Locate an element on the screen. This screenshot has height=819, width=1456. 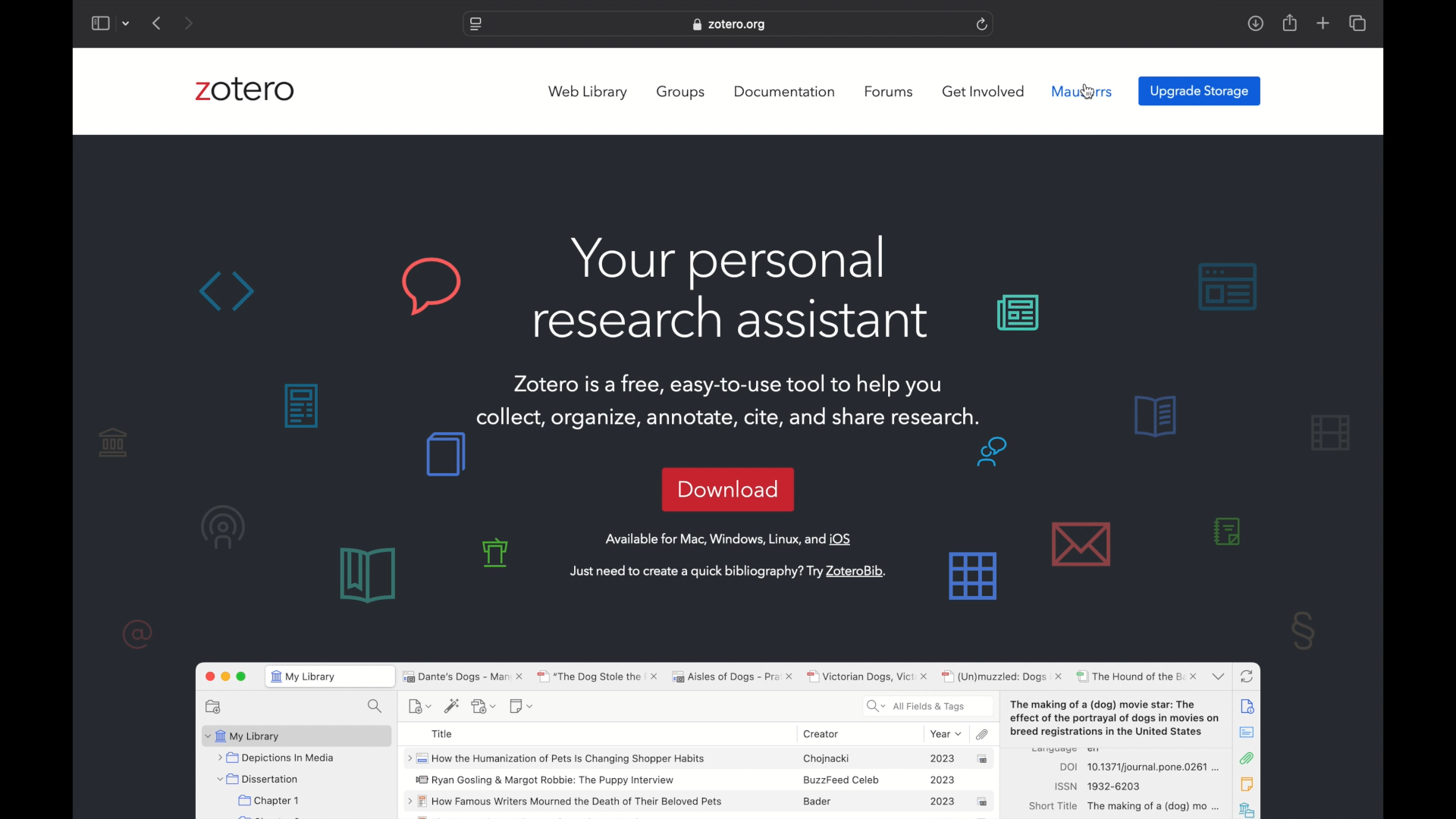
just need to create a quick bibliography? try zoterobib is located at coordinates (730, 572).